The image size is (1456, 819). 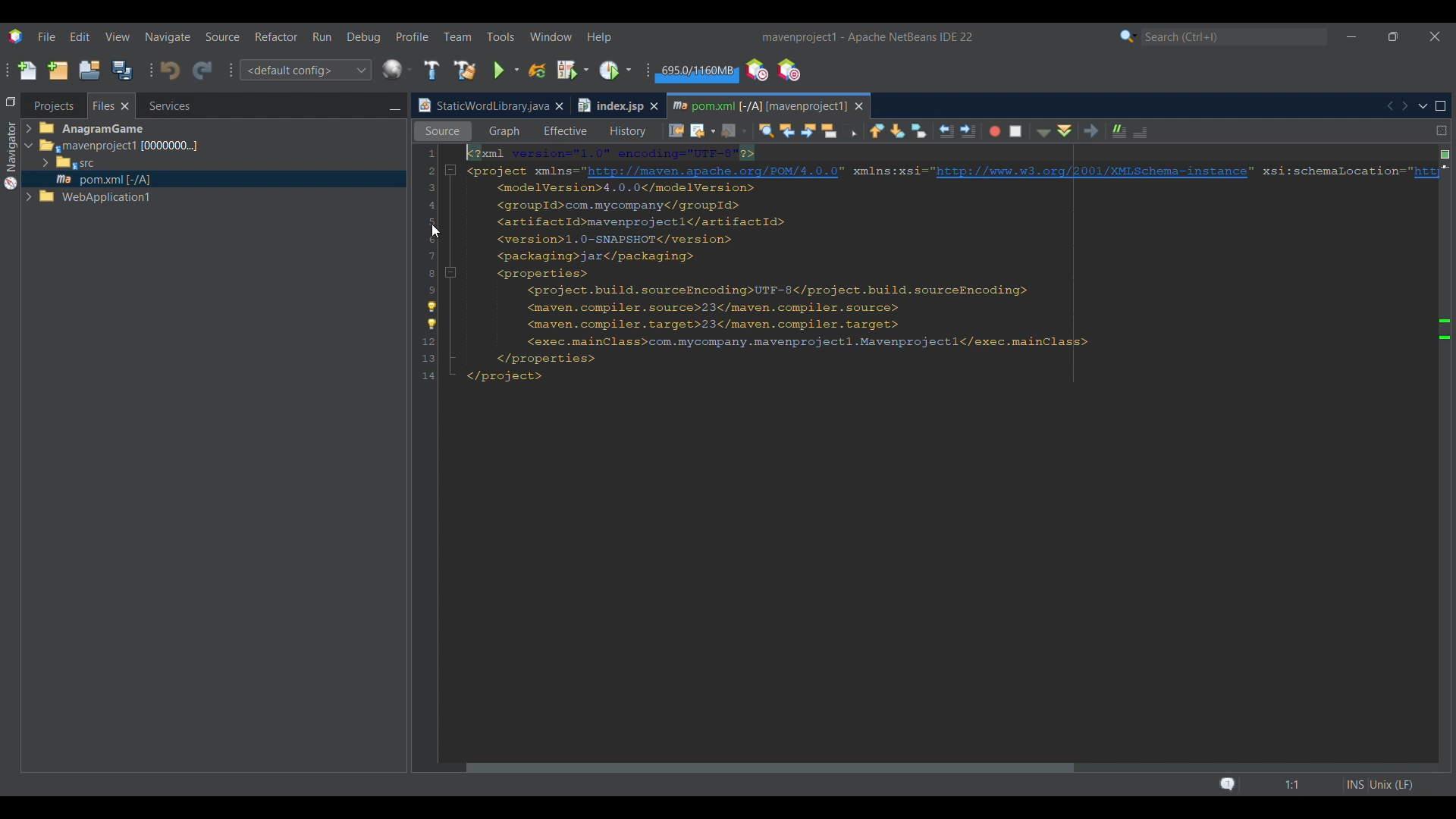 I want to click on Toggle highlight search, so click(x=831, y=130).